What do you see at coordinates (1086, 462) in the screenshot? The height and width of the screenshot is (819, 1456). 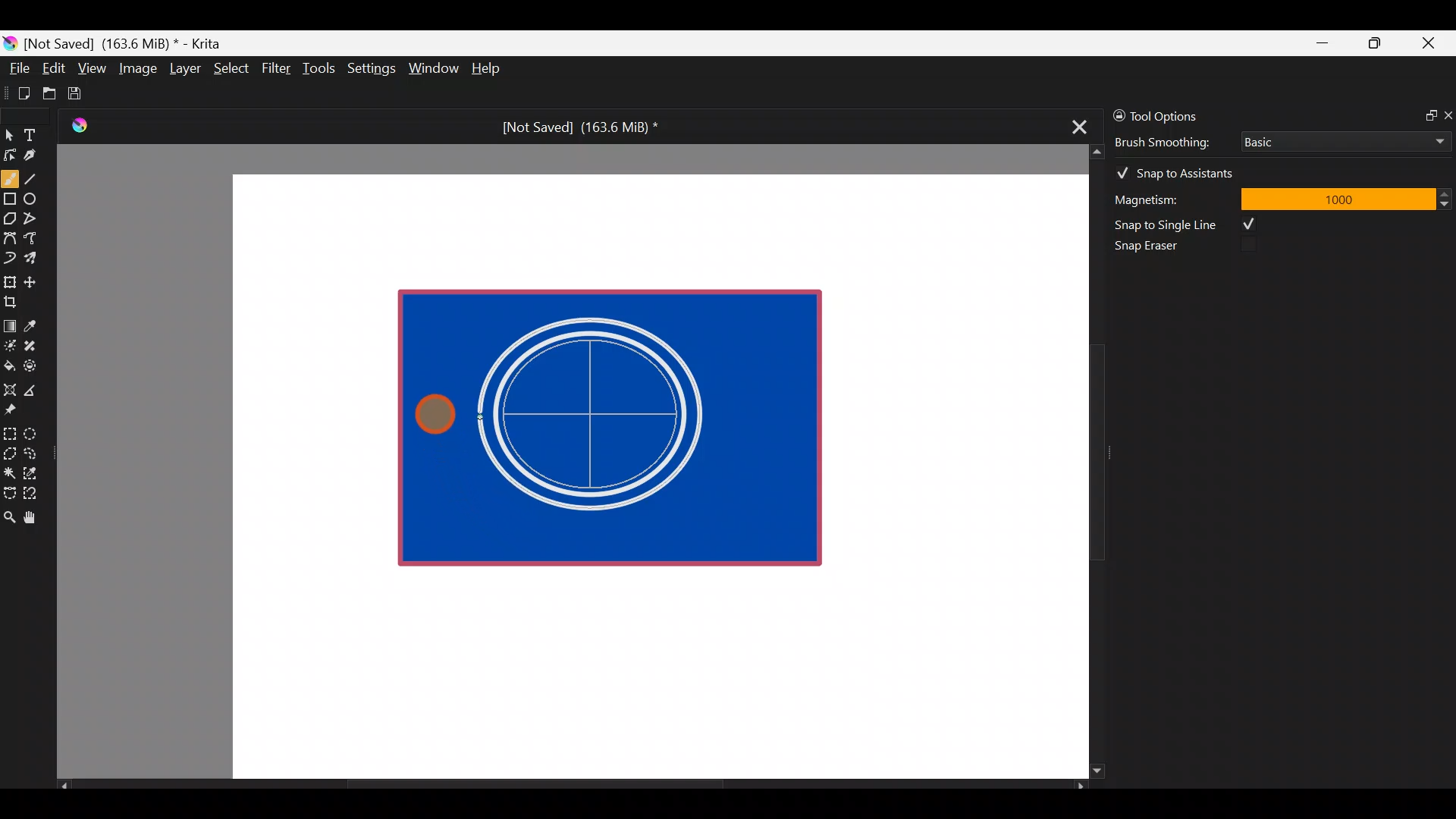 I see `Scroll bar` at bounding box center [1086, 462].